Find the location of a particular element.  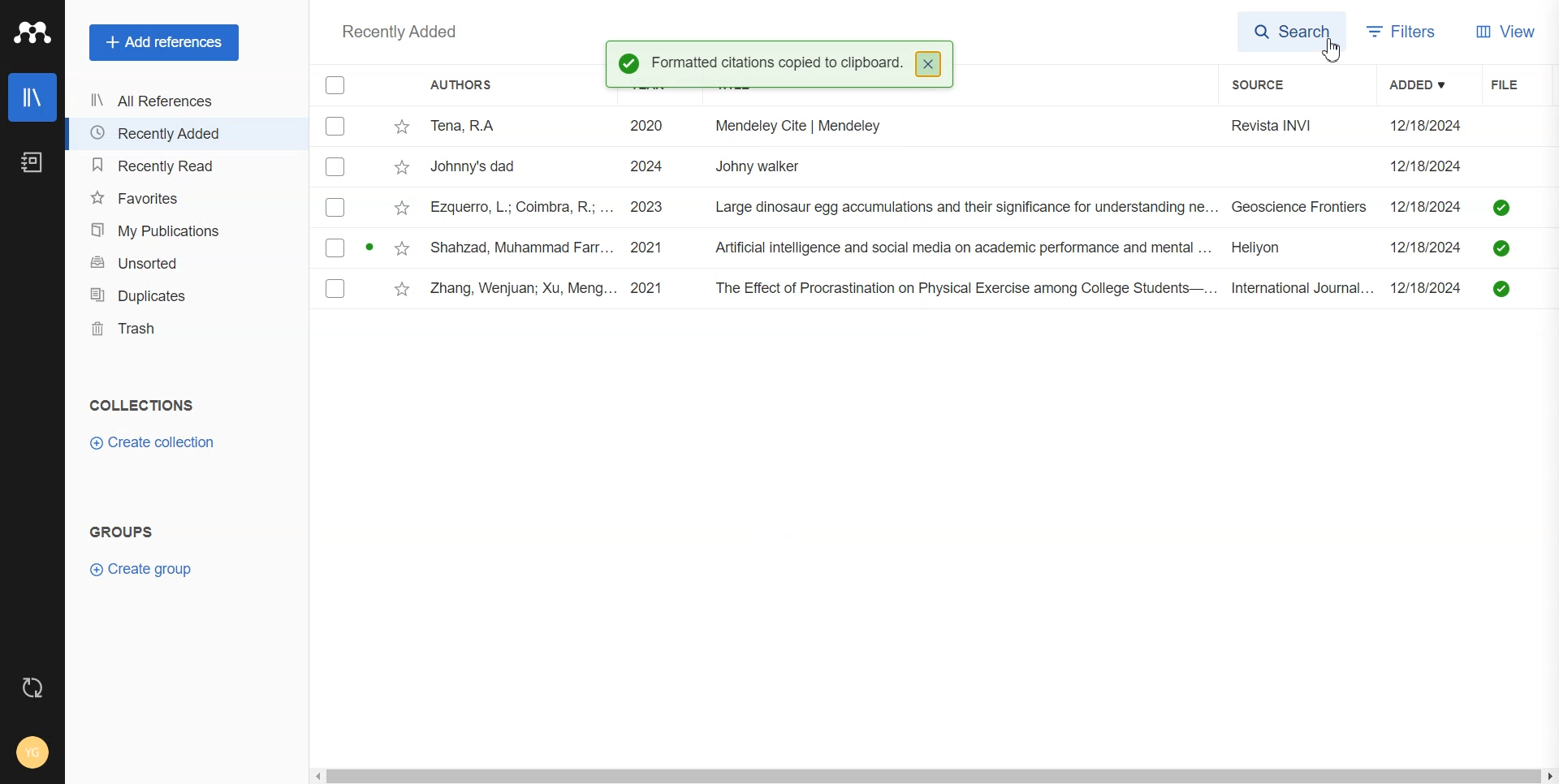

All References is located at coordinates (183, 102).